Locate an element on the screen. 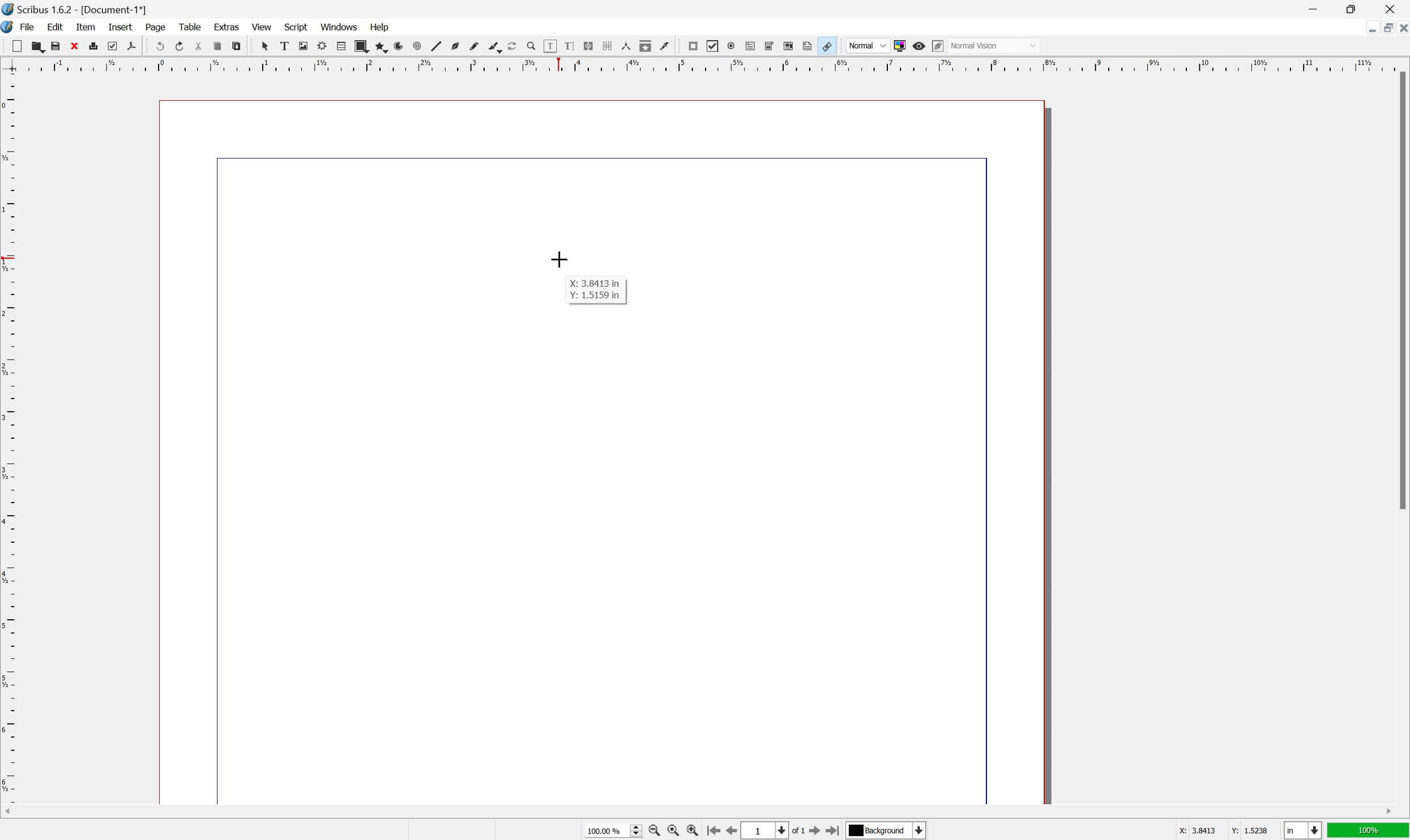 This screenshot has height=840, width=1410. X: 3.8413 in Y: 1.5159 in is located at coordinates (596, 291).